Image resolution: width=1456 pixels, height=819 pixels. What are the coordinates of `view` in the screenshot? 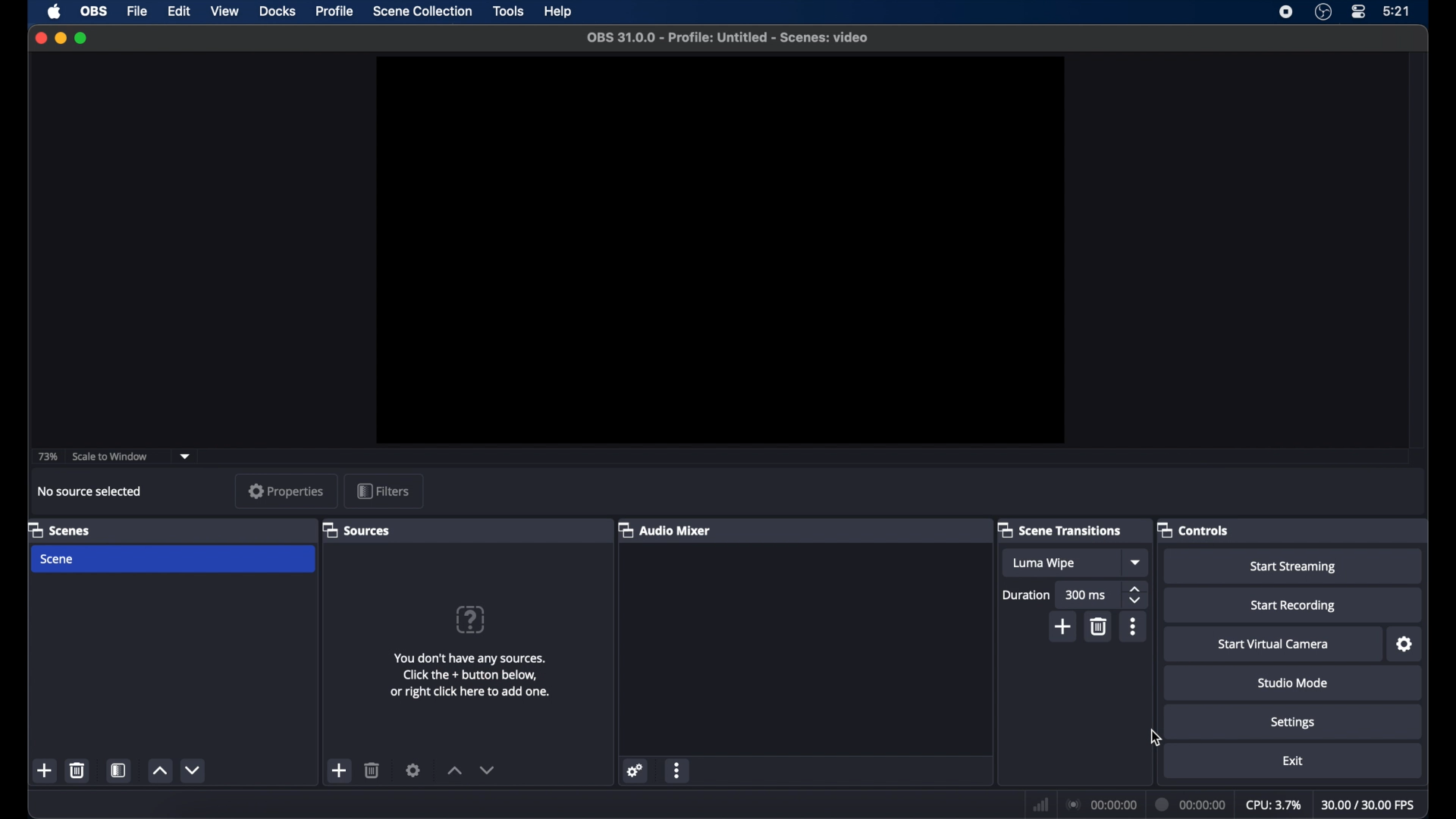 It's located at (224, 11).